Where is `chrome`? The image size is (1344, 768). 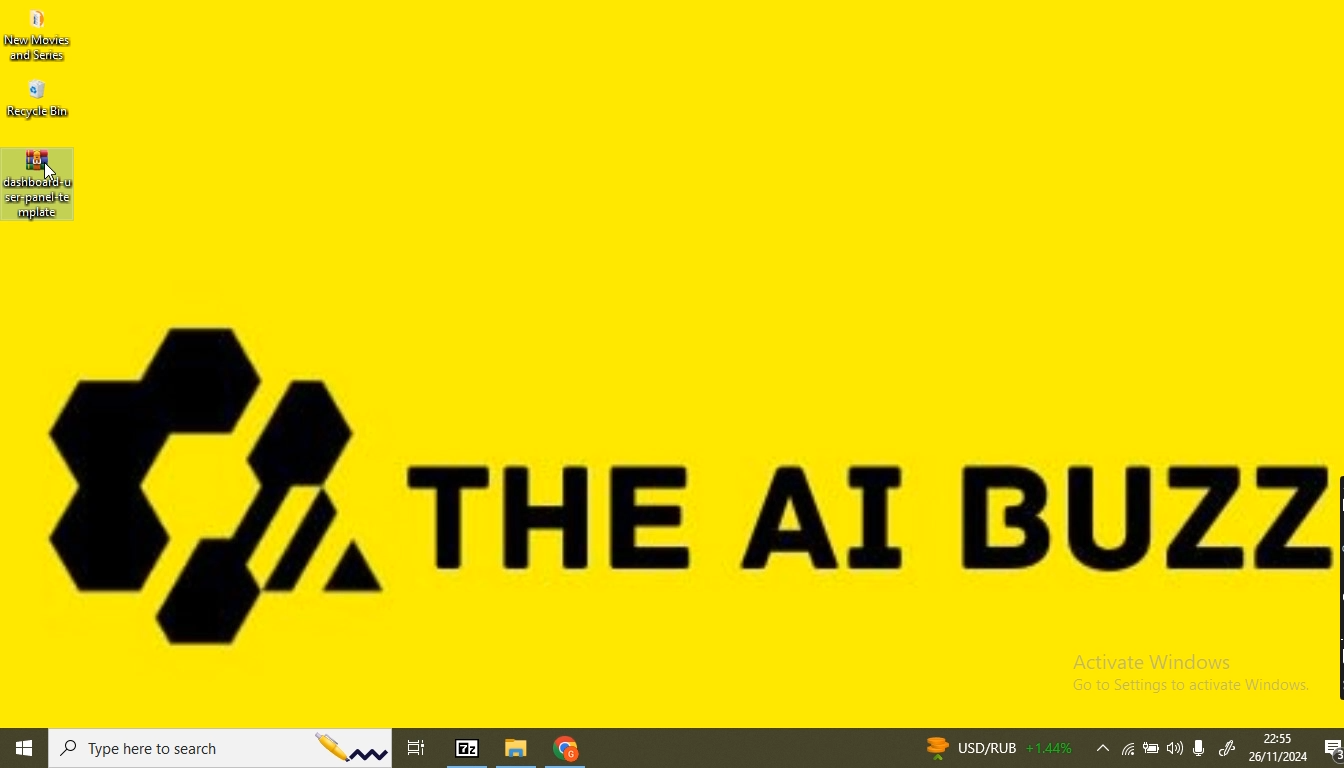
chrome is located at coordinates (565, 751).